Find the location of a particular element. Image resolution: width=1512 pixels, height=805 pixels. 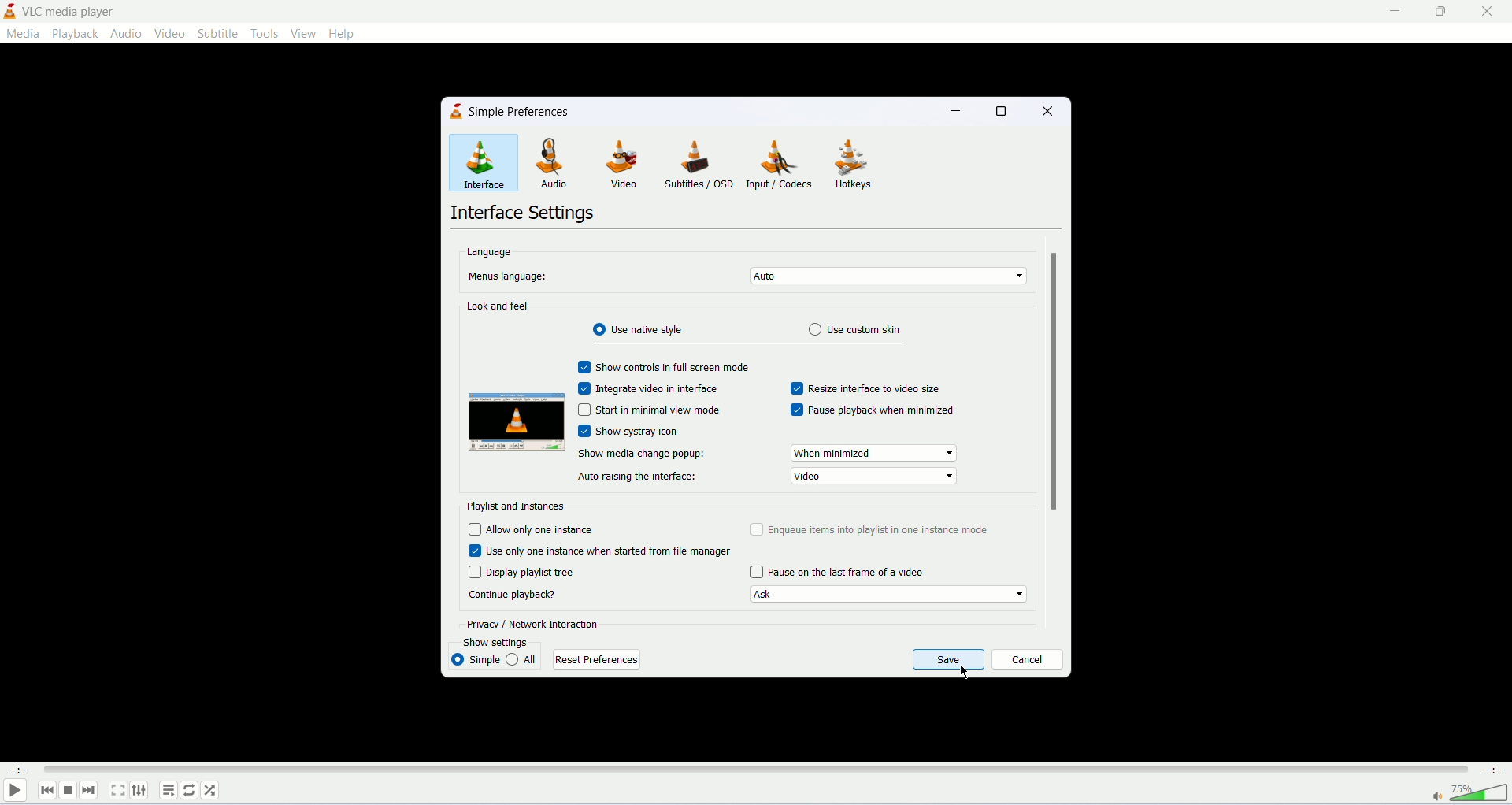

Checkbox is located at coordinates (473, 573).